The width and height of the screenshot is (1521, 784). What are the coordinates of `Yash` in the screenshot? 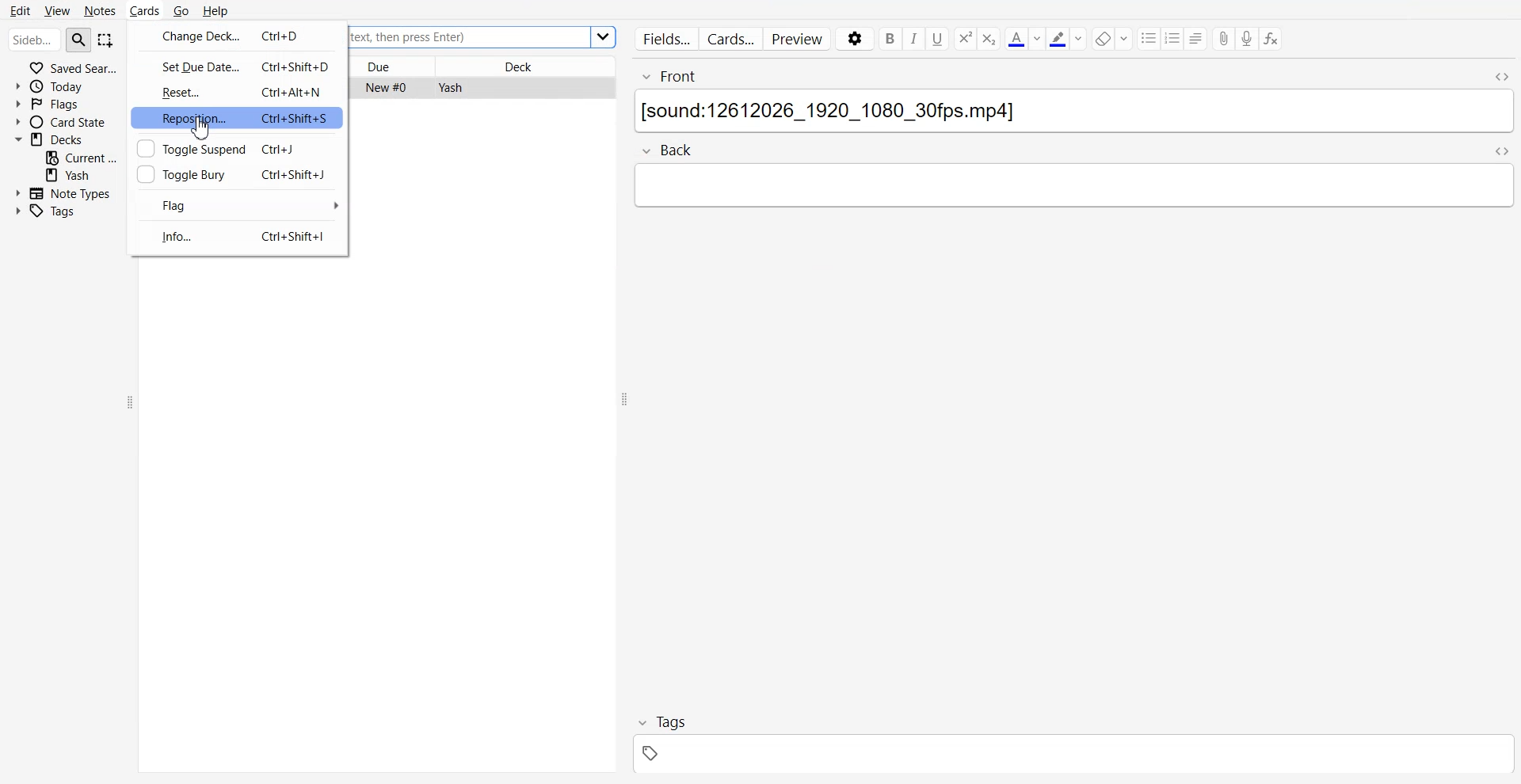 It's located at (82, 175).